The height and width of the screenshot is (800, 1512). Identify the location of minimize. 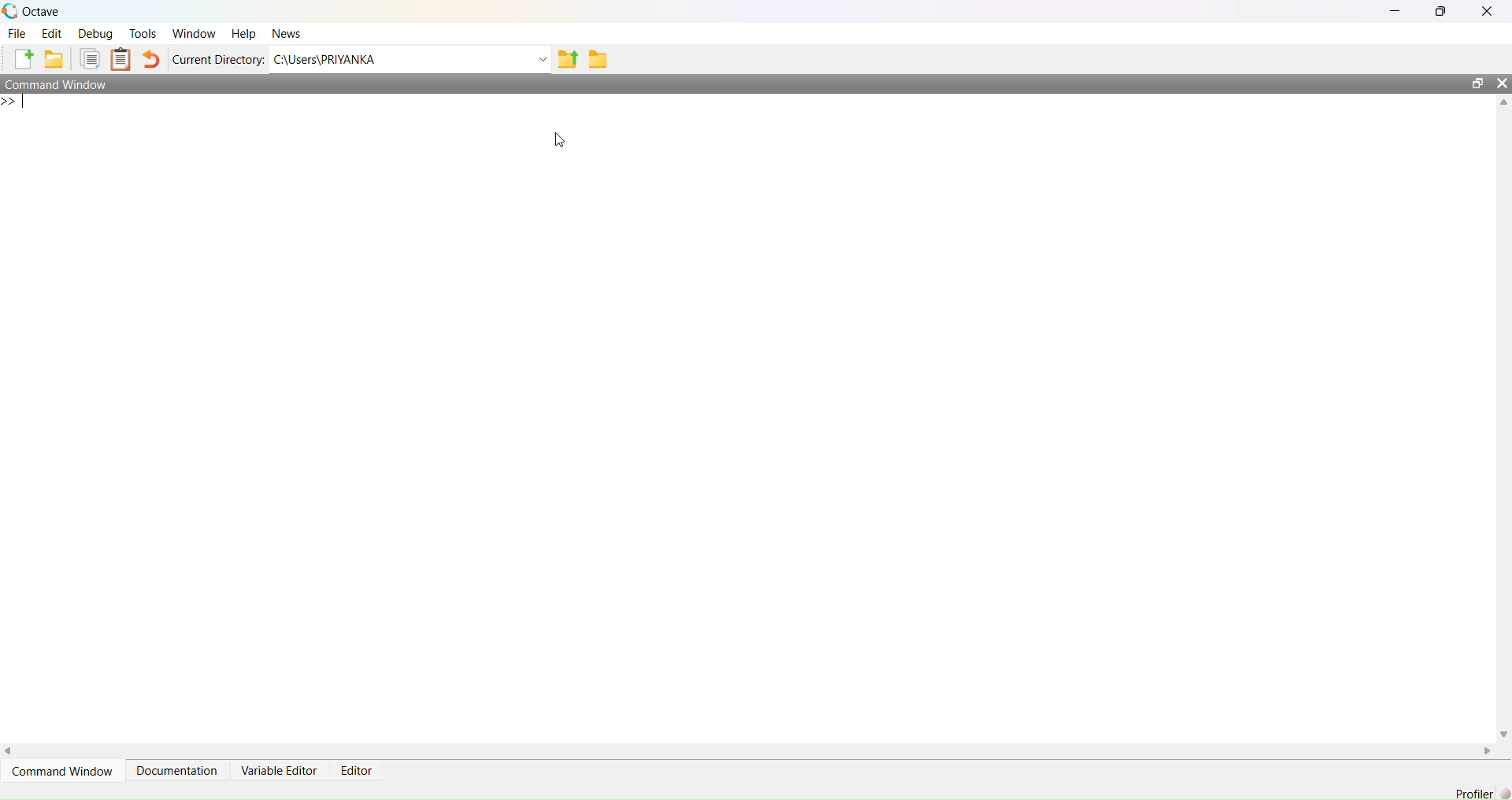
(1395, 11).